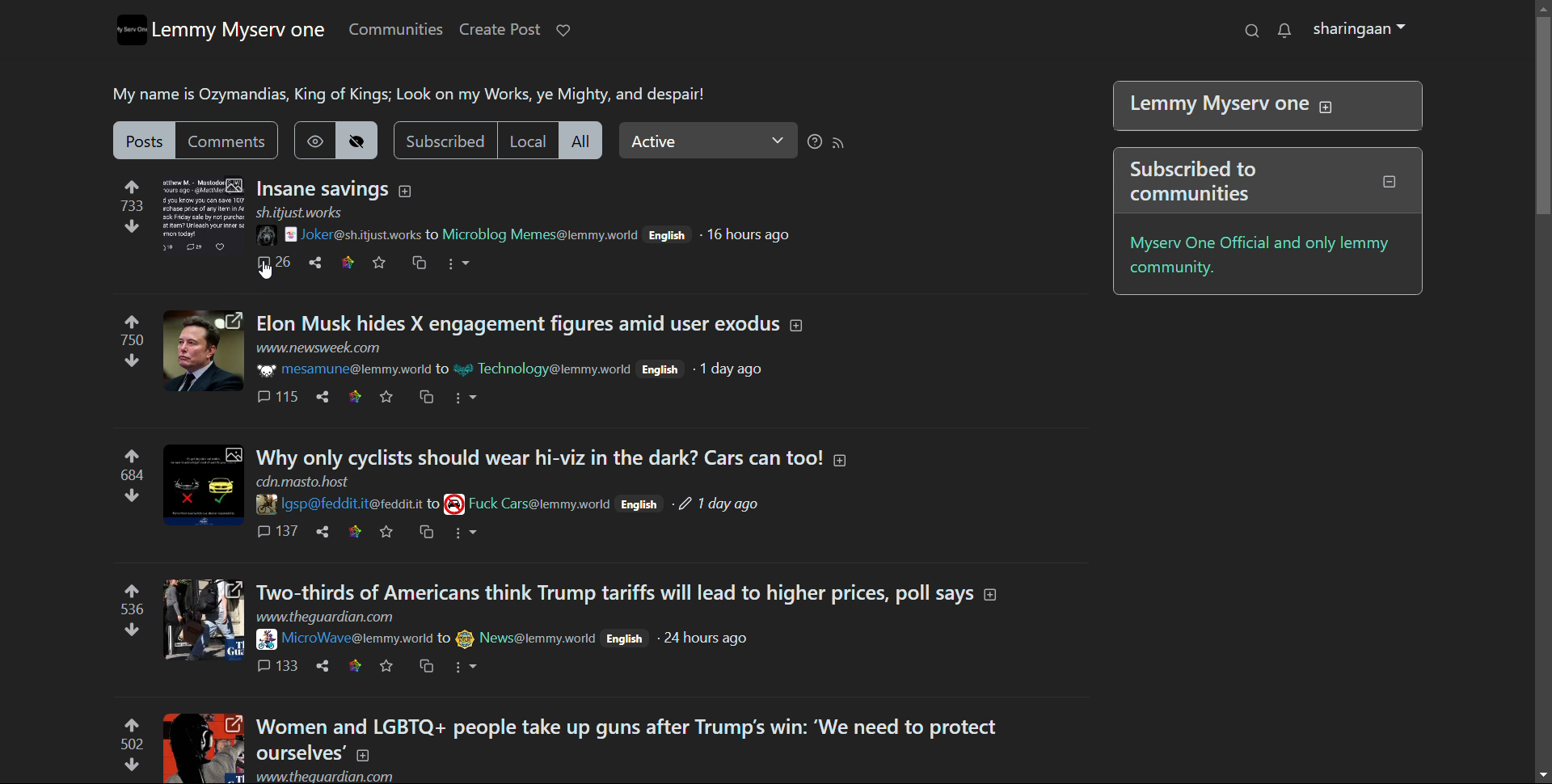 The image size is (1552, 784). I want to click on sorting help, so click(813, 142).